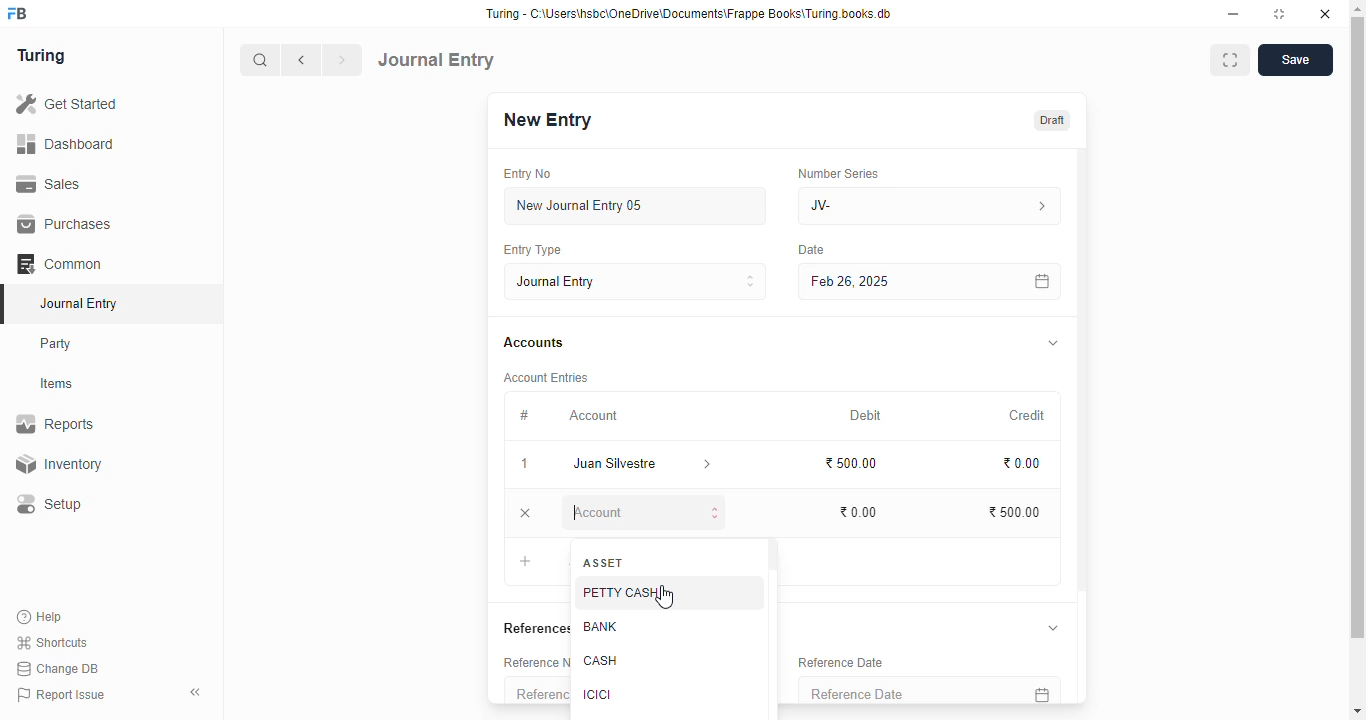  I want to click on ICICI, so click(597, 694).